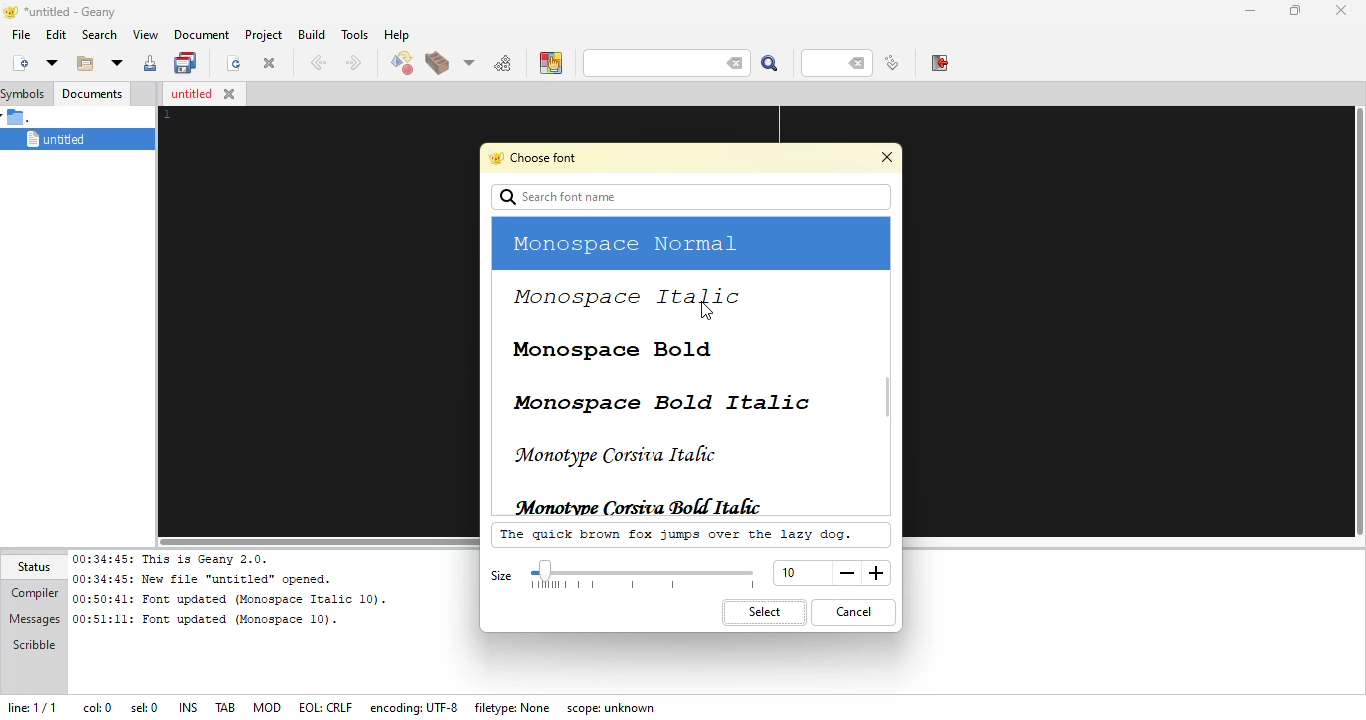 This screenshot has width=1366, height=720. Describe the element at coordinates (640, 504) in the screenshot. I see `monotype corsiva bold italic` at that location.